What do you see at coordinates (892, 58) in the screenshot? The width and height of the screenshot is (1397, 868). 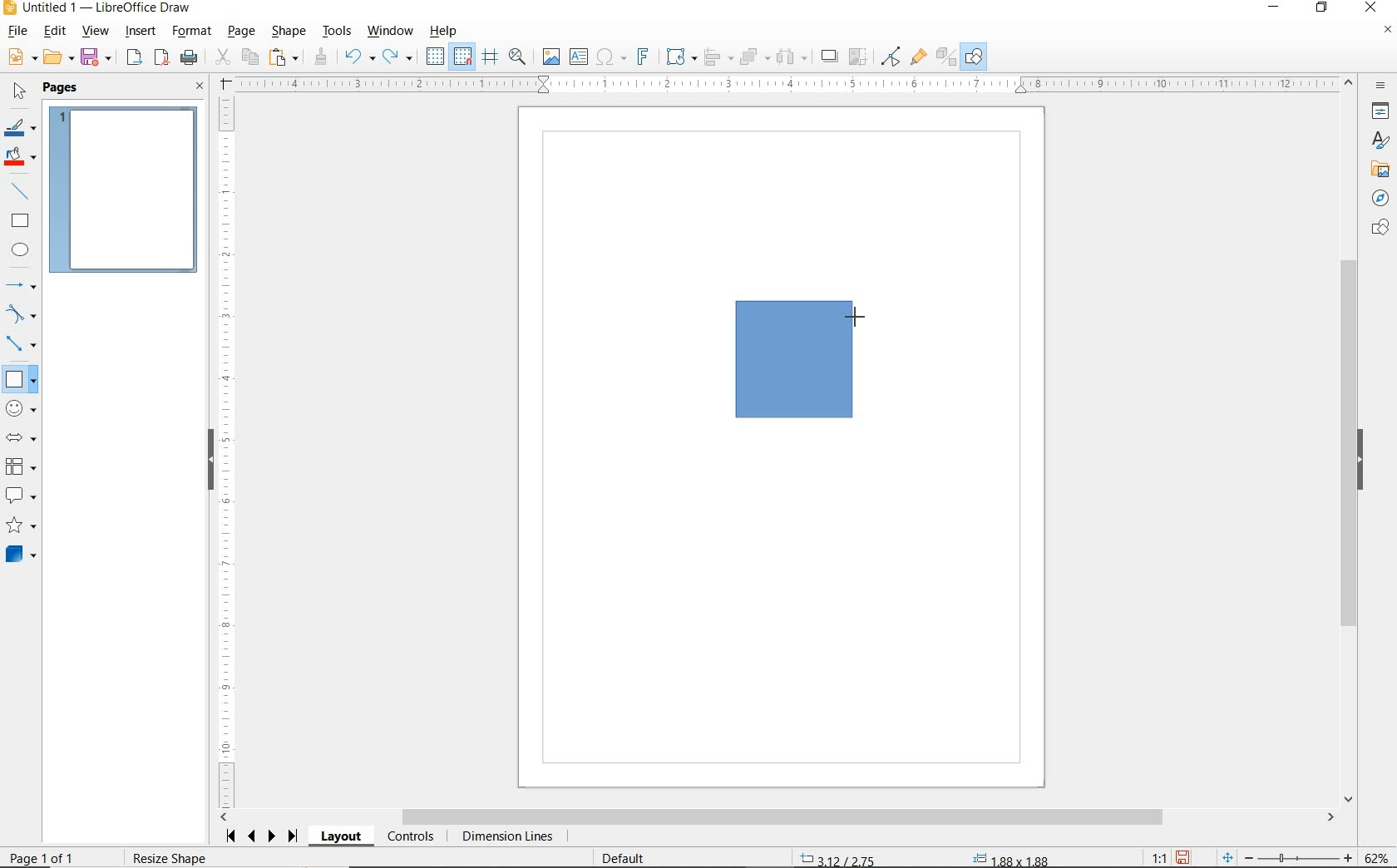 I see `TOGGLE POINT EDIT MODE` at bounding box center [892, 58].